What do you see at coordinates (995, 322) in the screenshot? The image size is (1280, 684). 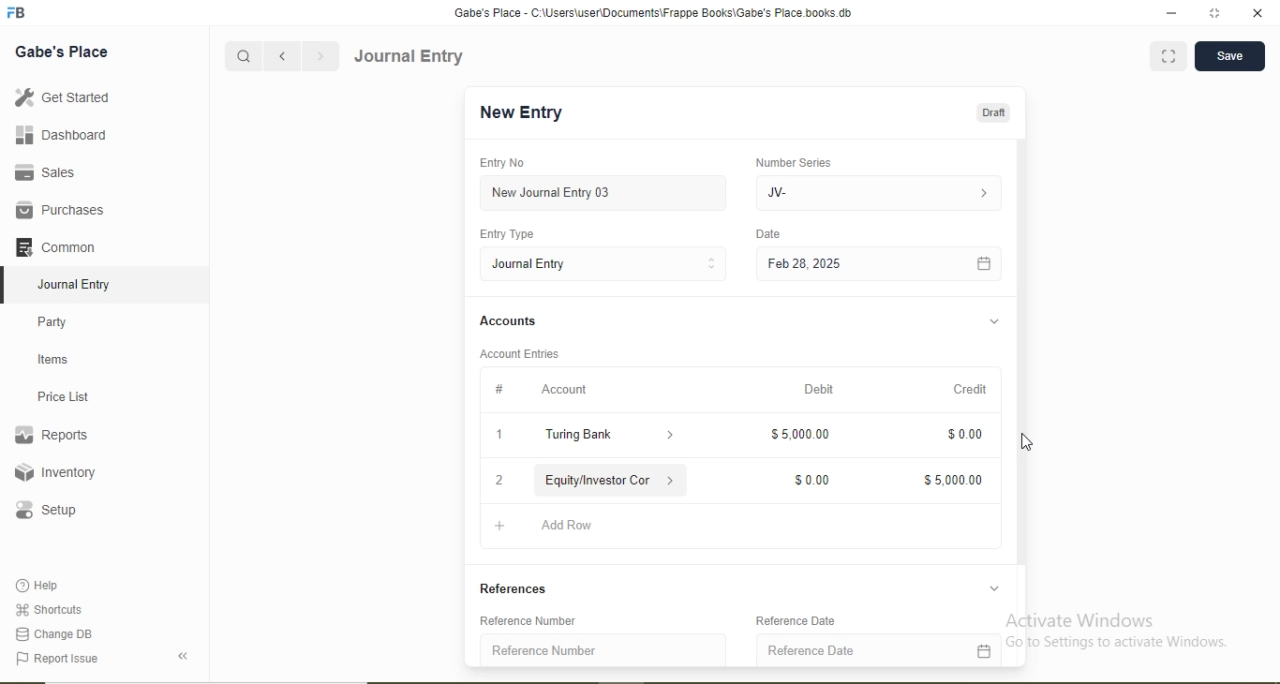 I see `Dropdown` at bounding box center [995, 322].